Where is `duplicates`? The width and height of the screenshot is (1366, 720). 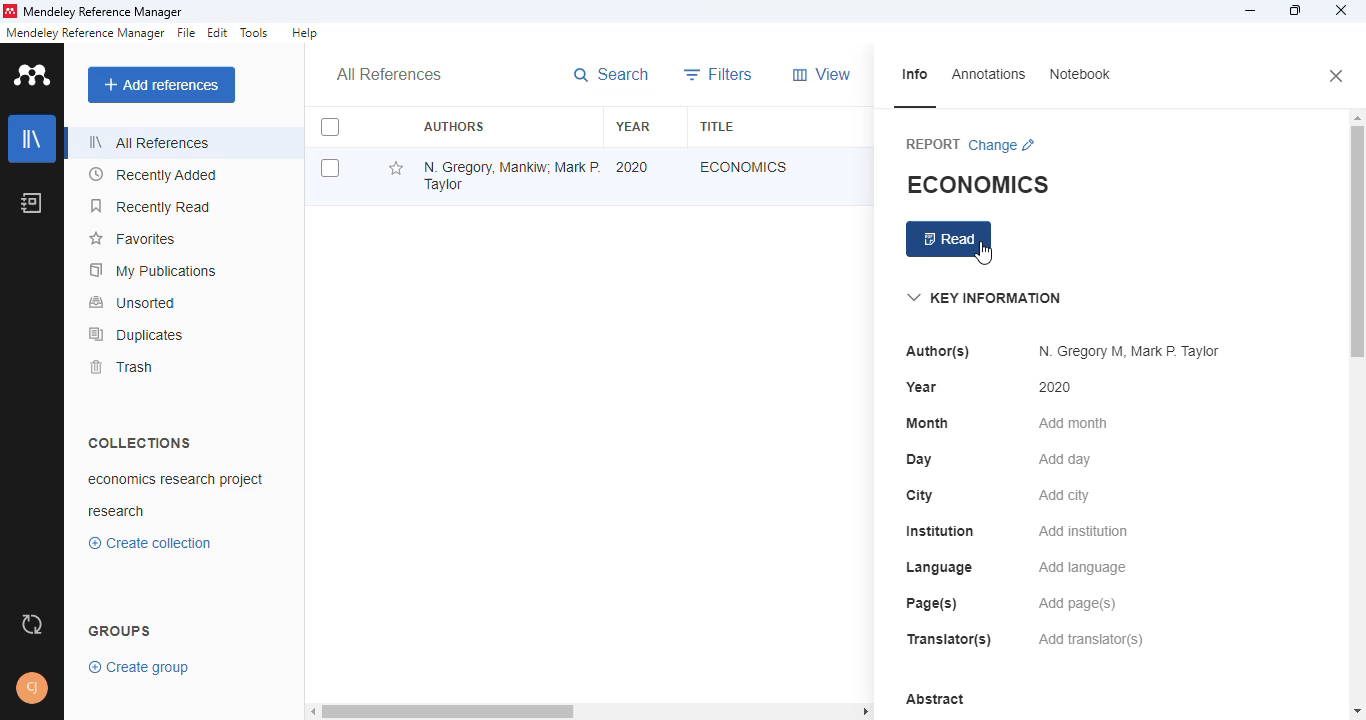
duplicates is located at coordinates (137, 334).